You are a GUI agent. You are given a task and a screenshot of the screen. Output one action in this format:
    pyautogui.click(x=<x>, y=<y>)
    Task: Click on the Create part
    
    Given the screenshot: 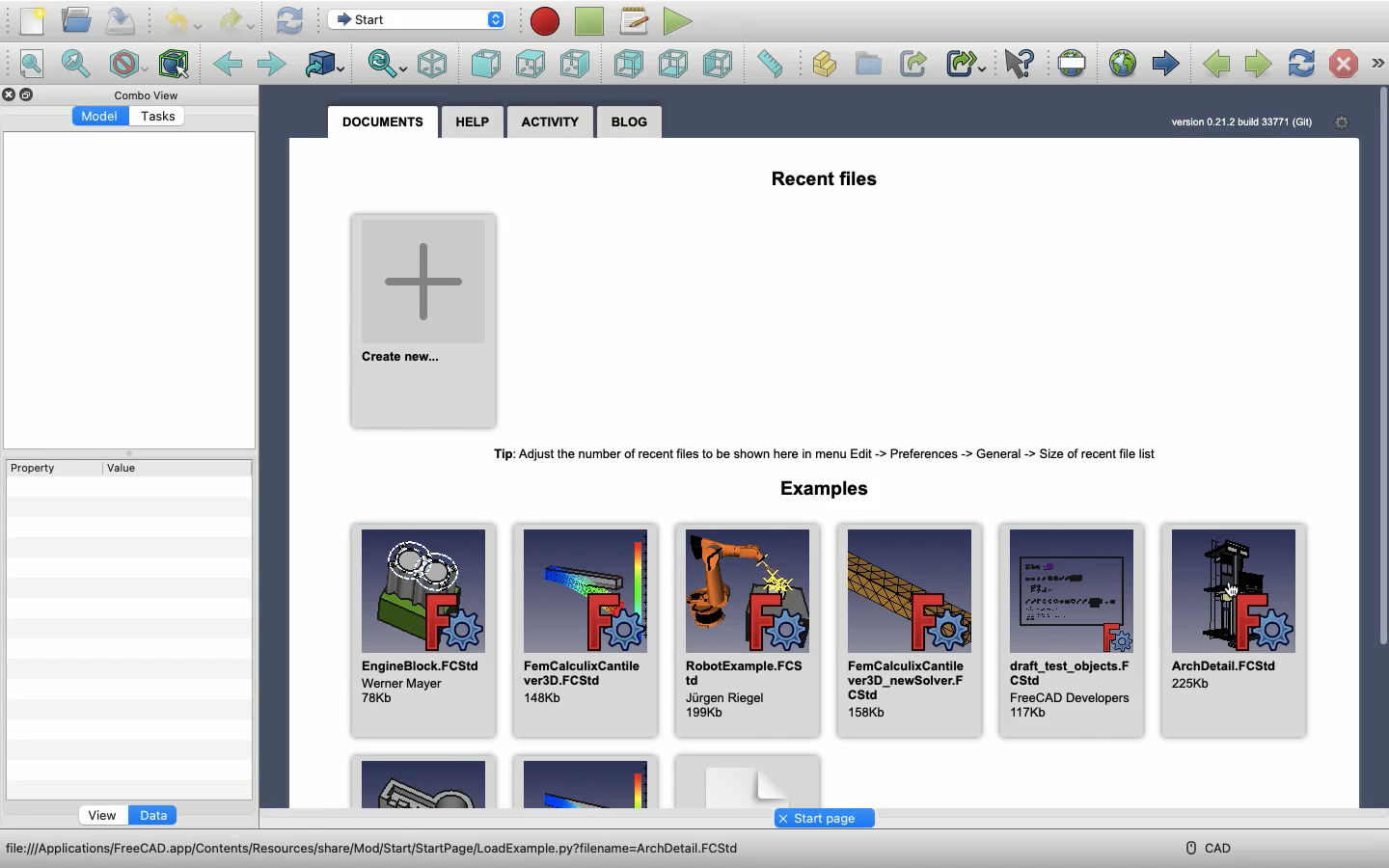 What is the action you would take?
    pyautogui.click(x=825, y=65)
    